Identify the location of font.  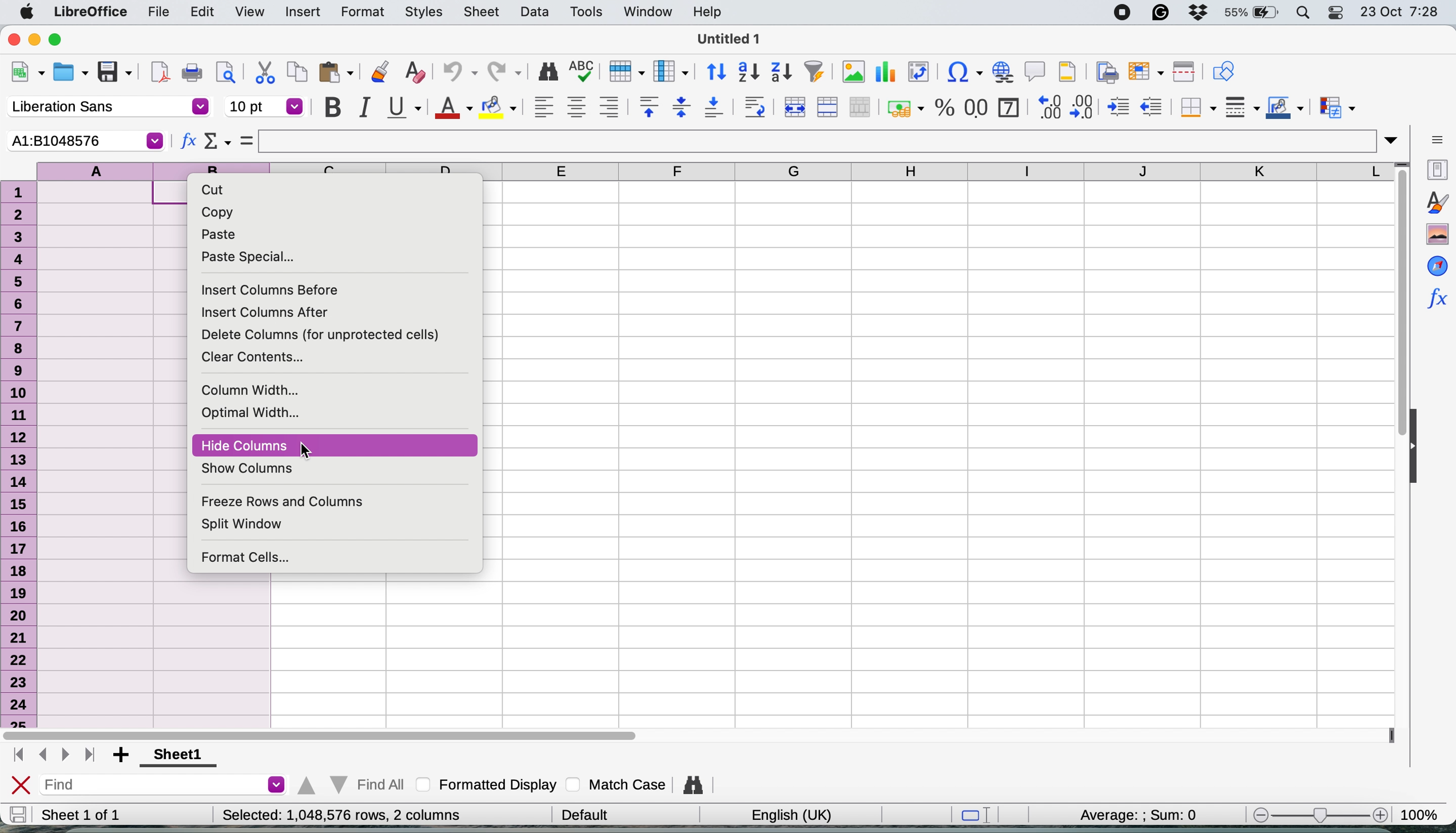
(104, 106).